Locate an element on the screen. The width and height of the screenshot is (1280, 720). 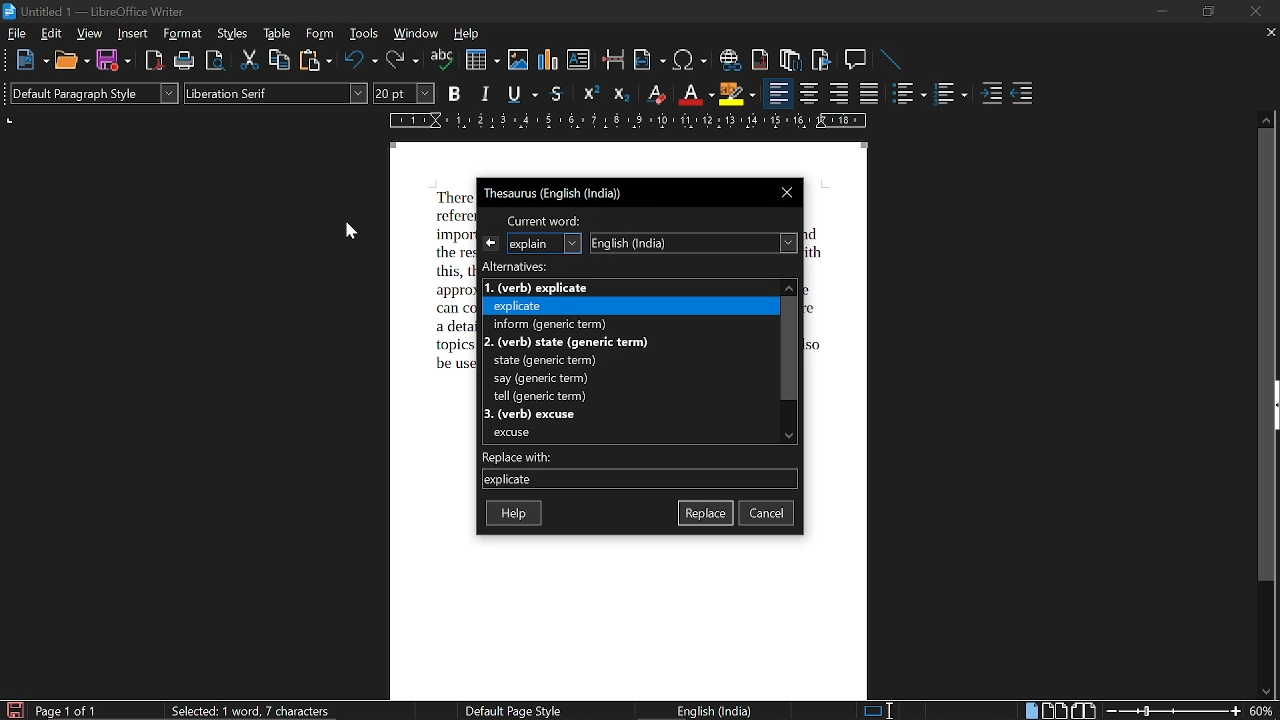
toggle unordered list is located at coordinates (950, 95).